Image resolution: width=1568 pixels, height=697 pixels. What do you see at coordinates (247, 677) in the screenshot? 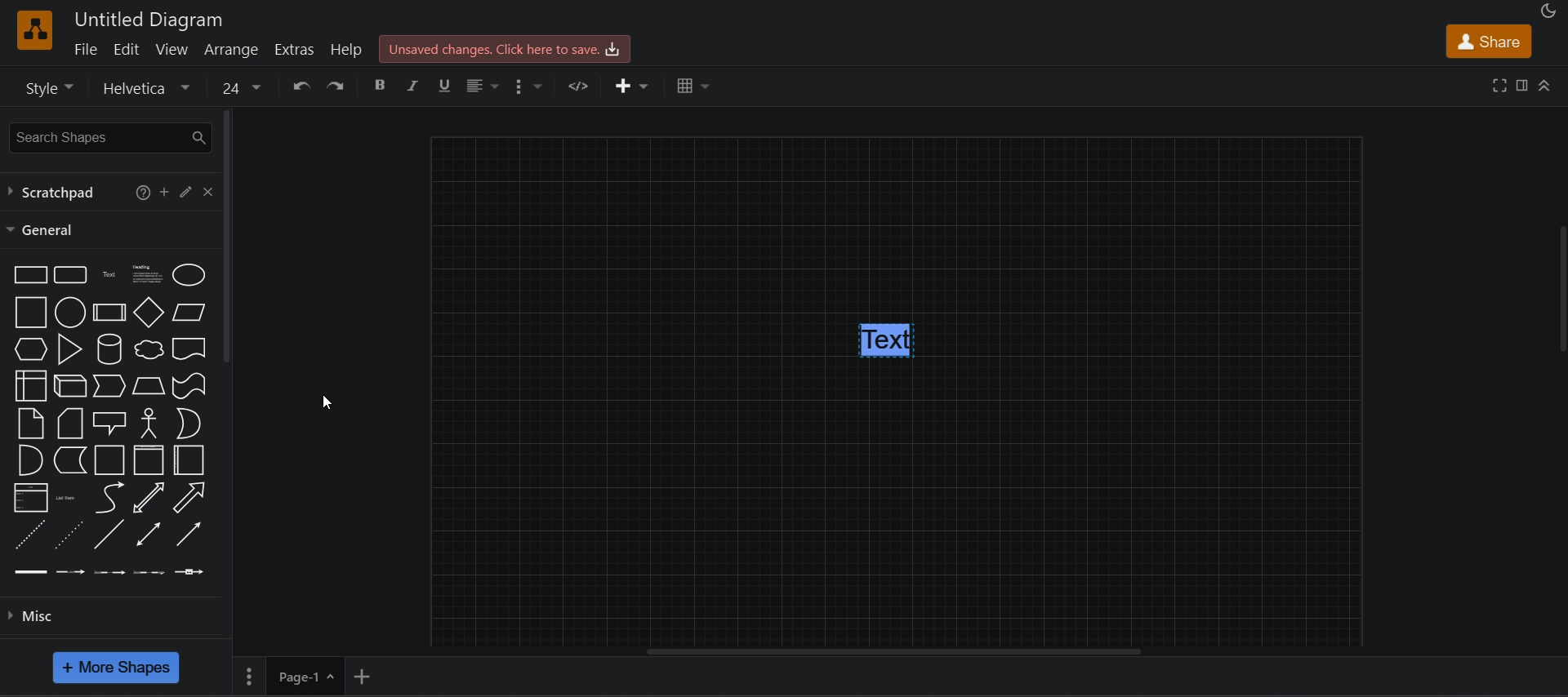
I see `more settings` at bounding box center [247, 677].